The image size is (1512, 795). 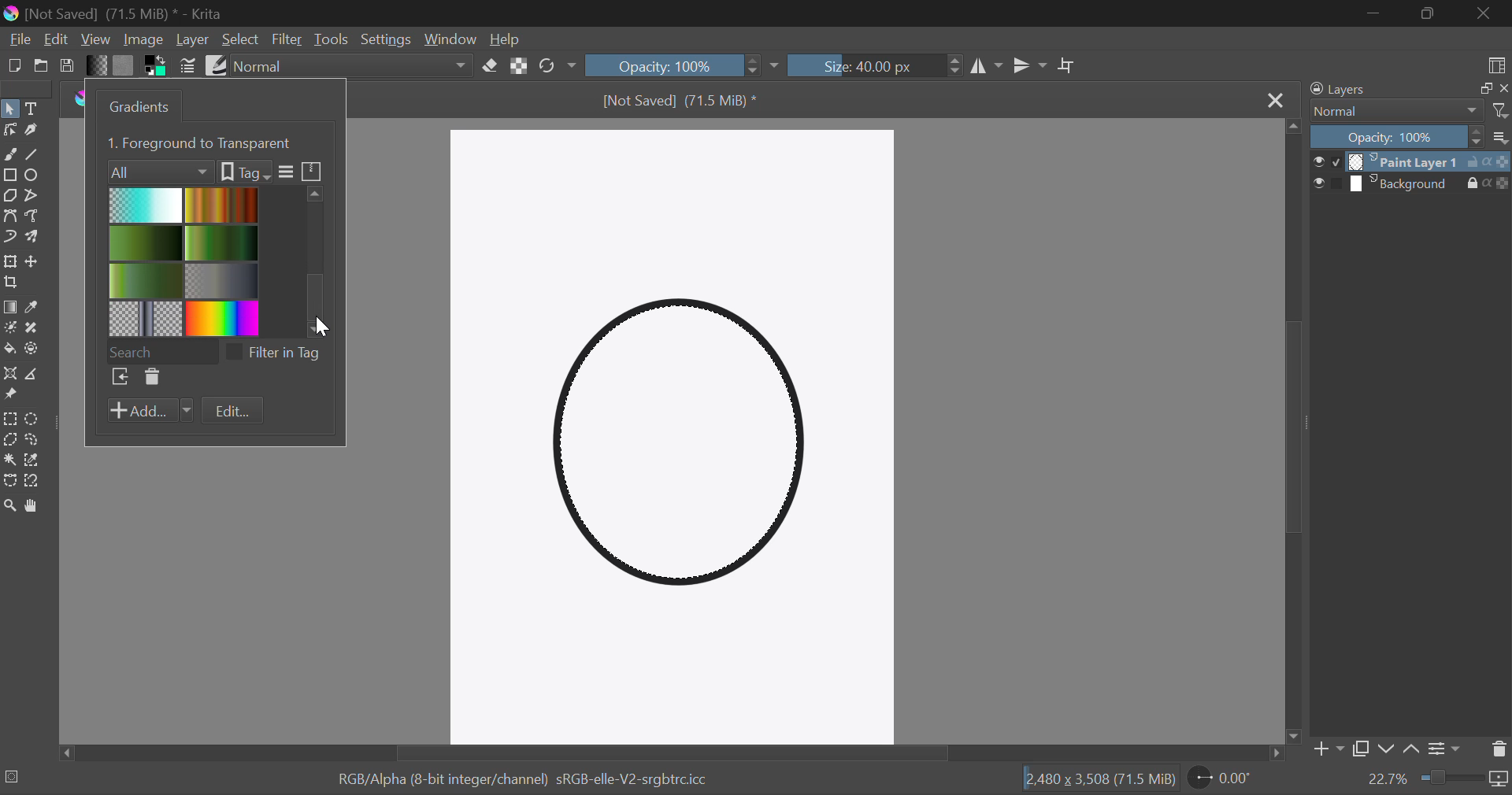 What do you see at coordinates (151, 410) in the screenshot?
I see `Add` at bounding box center [151, 410].